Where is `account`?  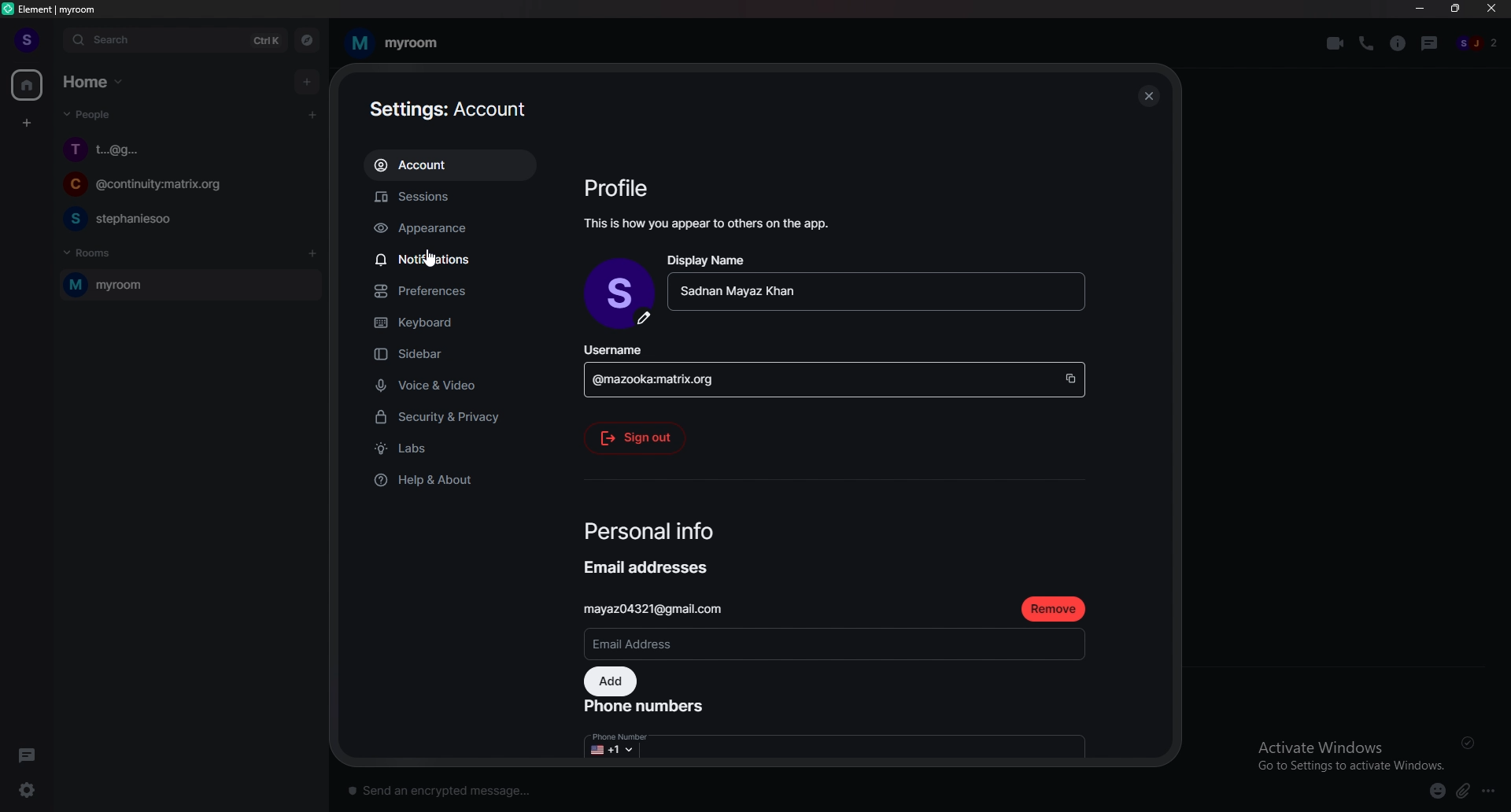 account is located at coordinates (454, 164).